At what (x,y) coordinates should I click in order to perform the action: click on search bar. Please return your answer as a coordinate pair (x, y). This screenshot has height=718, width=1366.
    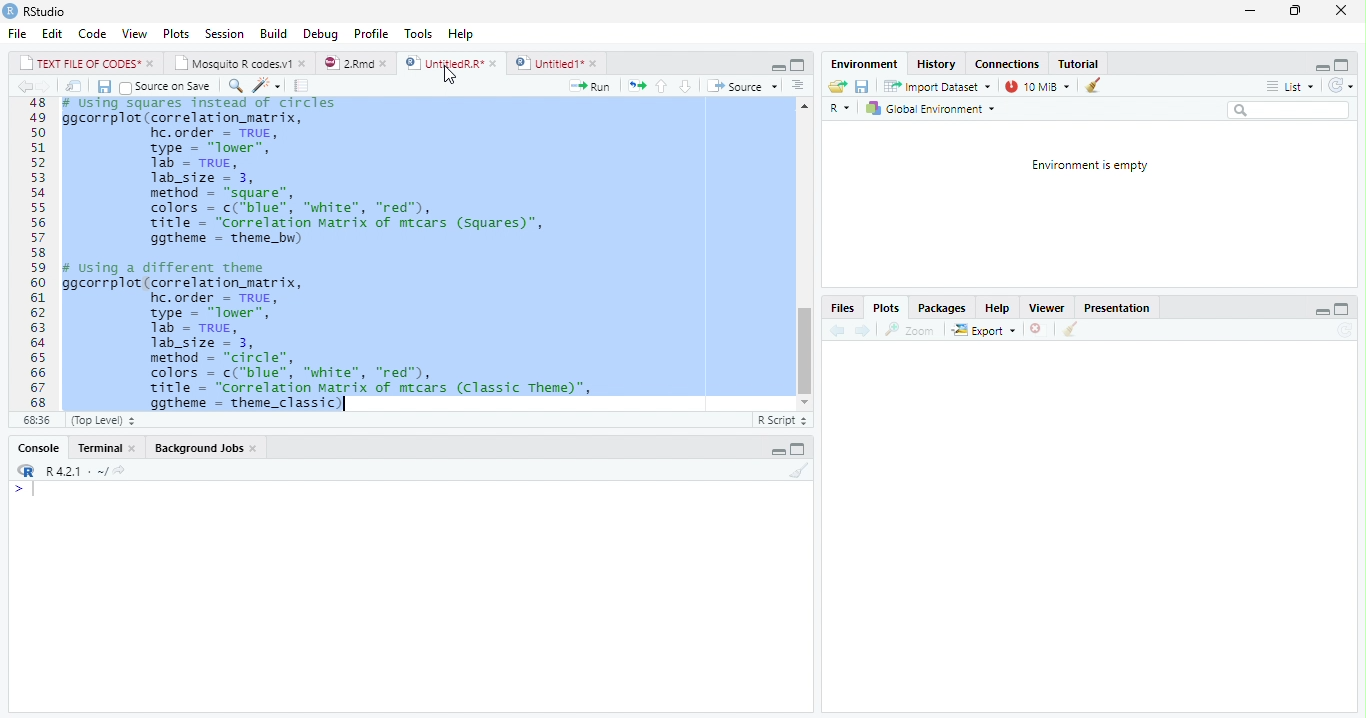
    Looking at the image, I should click on (1295, 110).